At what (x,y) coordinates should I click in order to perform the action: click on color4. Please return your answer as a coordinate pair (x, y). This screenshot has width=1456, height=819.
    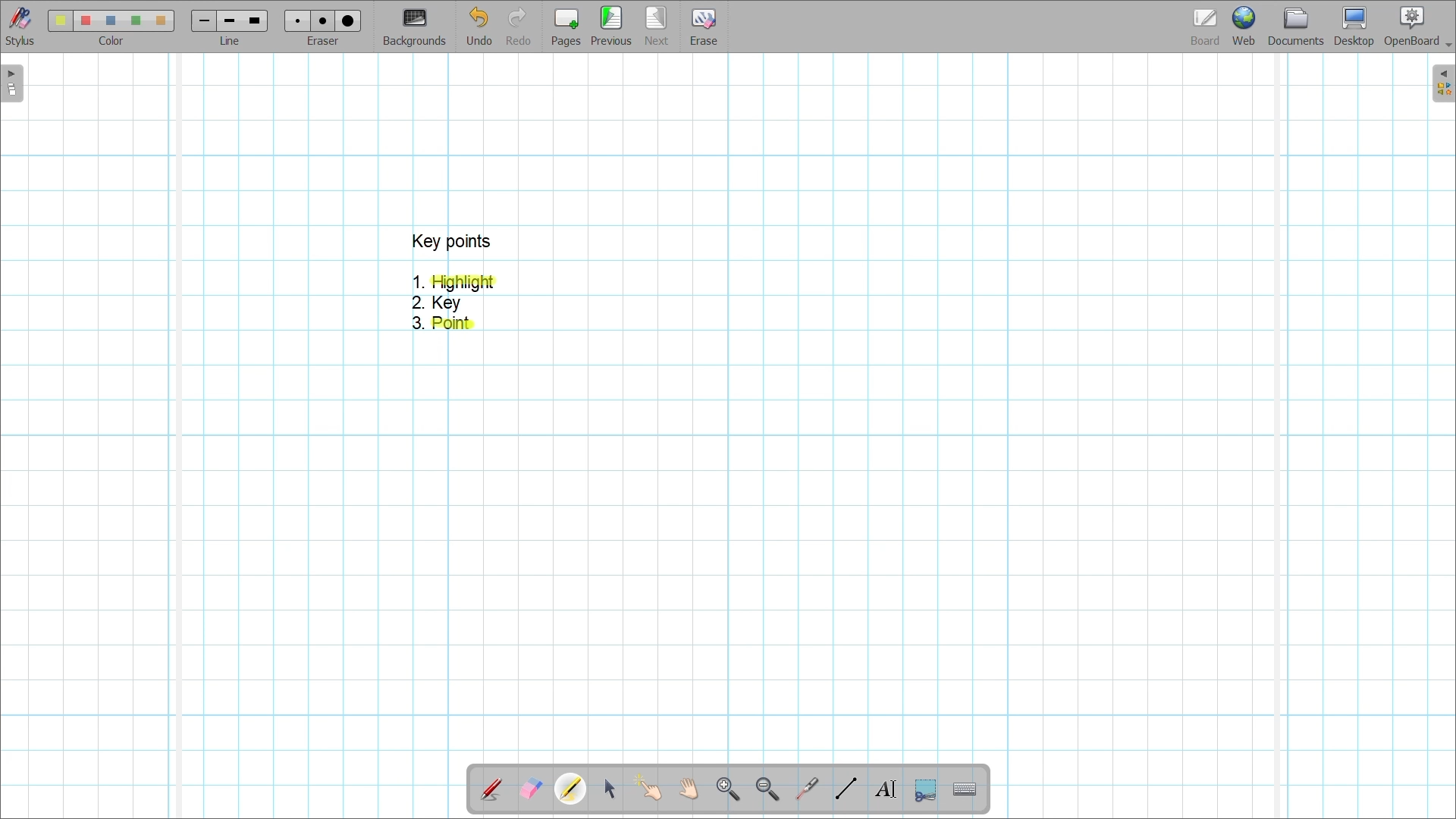
    Looking at the image, I should click on (135, 20).